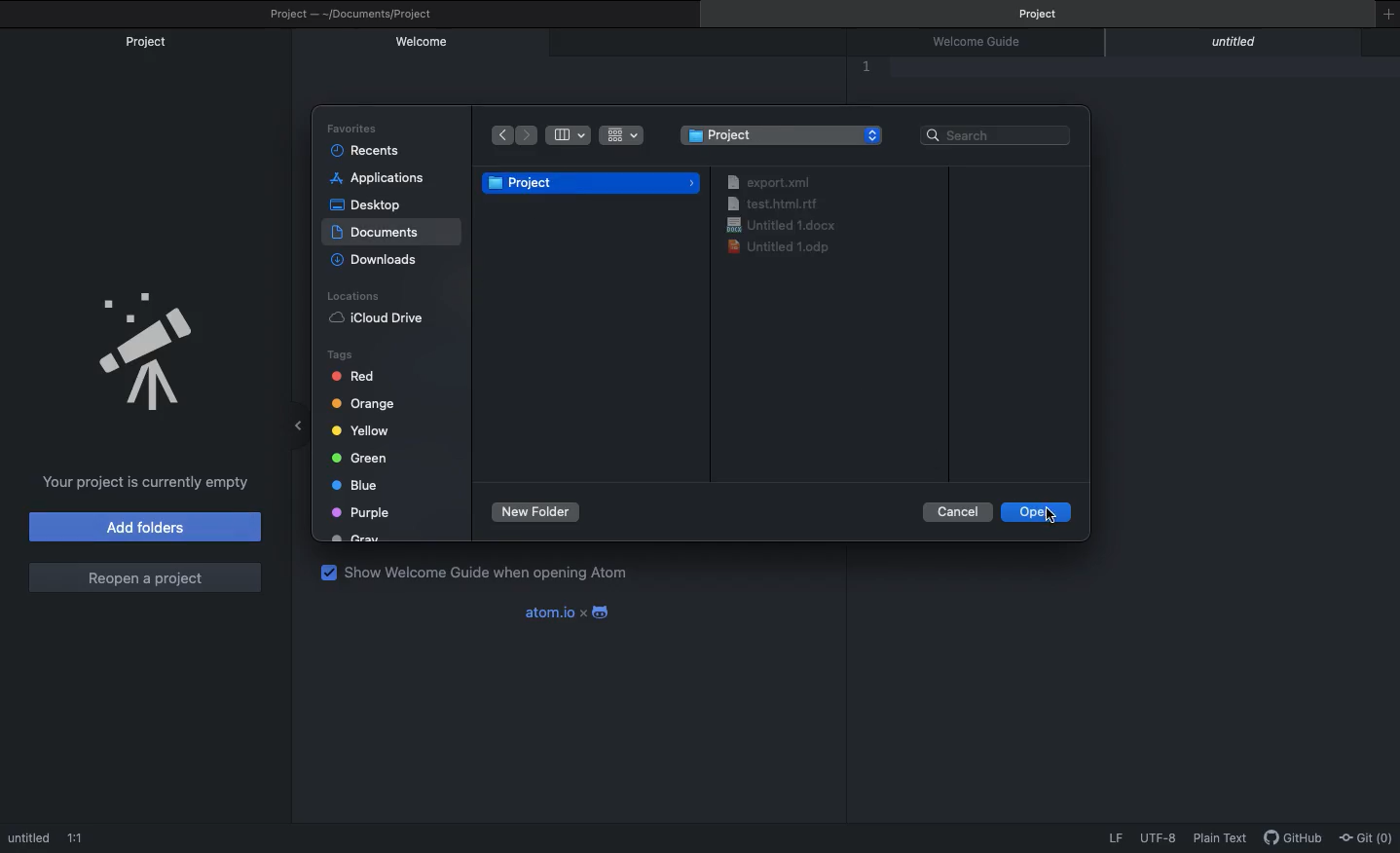 This screenshot has height=853, width=1400. Describe the element at coordinates (421, 44) in the screenshot. I see `Welcome` at that location.